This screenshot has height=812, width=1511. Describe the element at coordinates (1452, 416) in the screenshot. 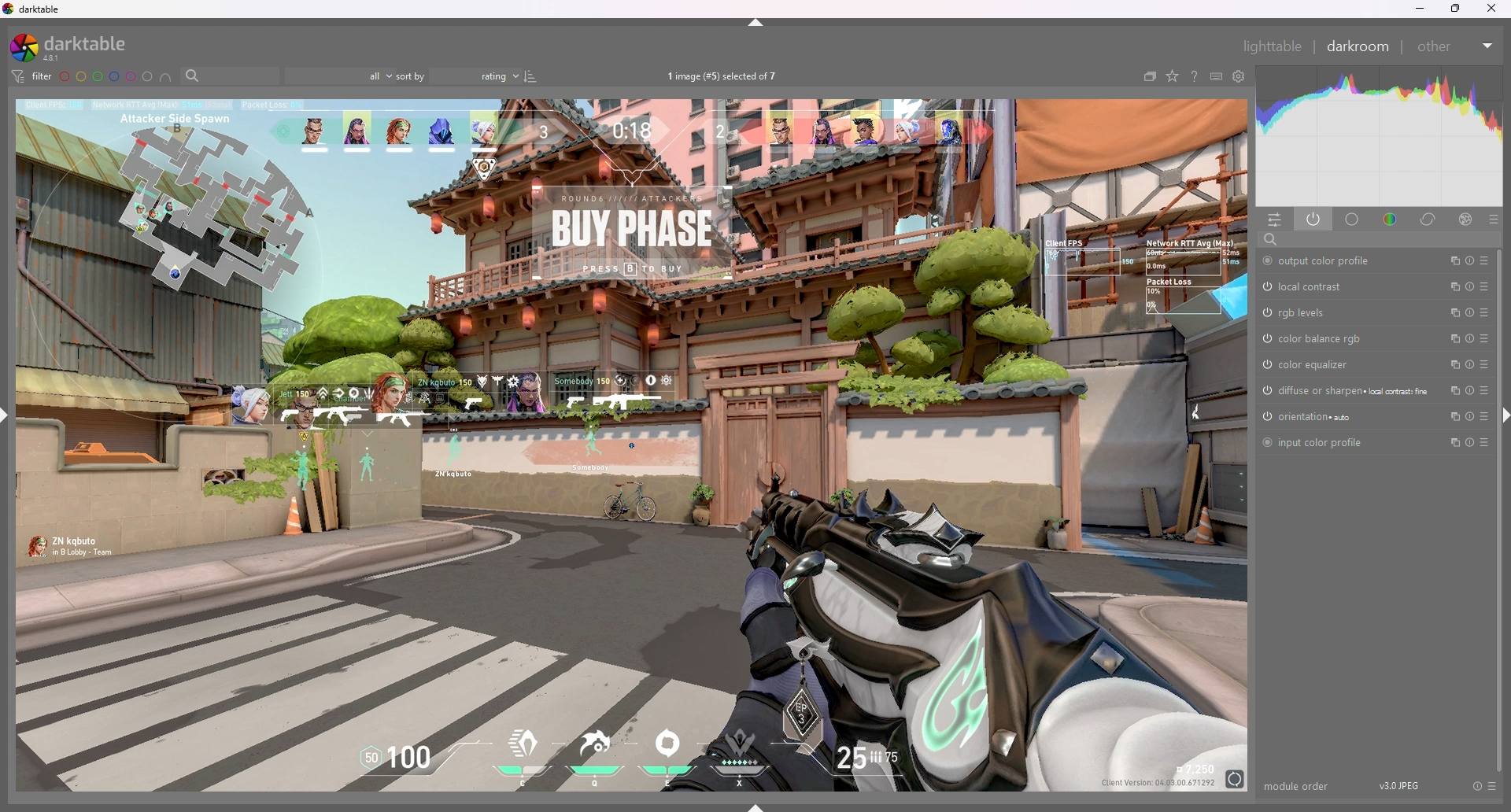

I see `multiple instances actions` at that location.